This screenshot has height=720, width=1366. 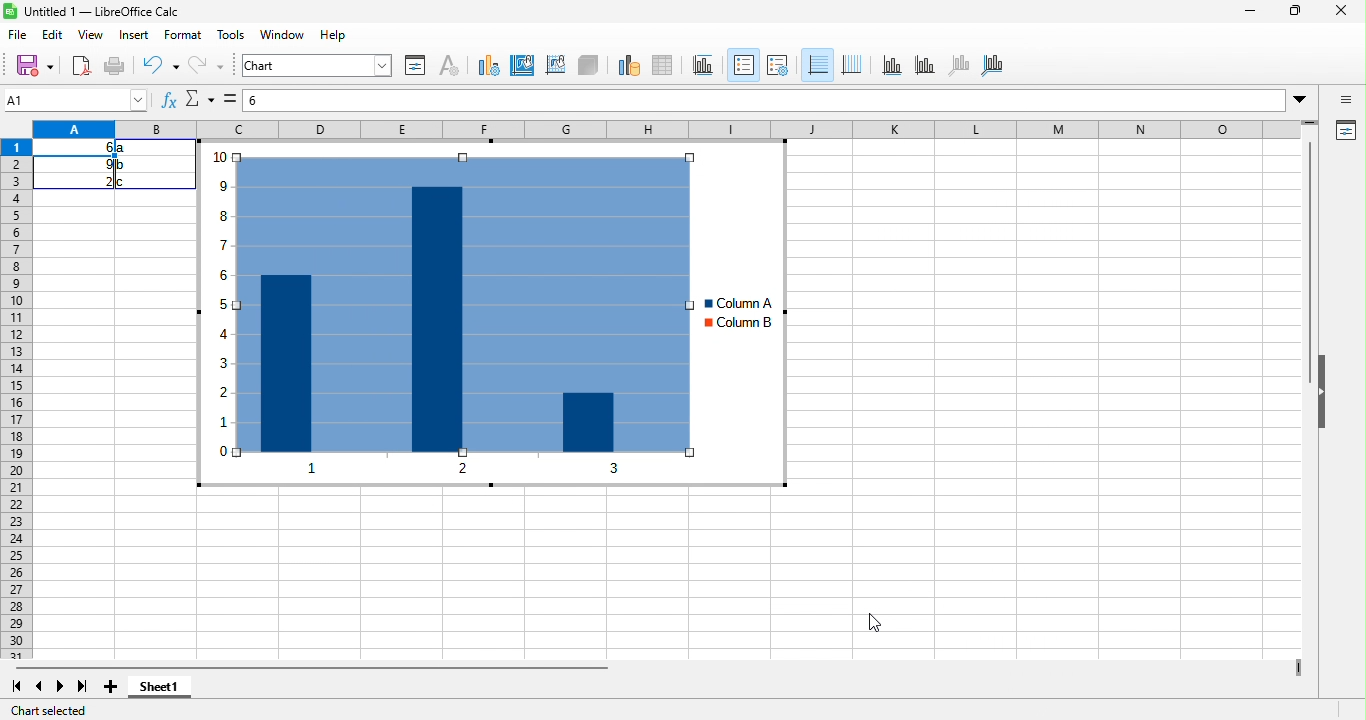 What do you see at coordinates (98, 182) in the screenshot?
I see `2` at bounding box center [98, 182].